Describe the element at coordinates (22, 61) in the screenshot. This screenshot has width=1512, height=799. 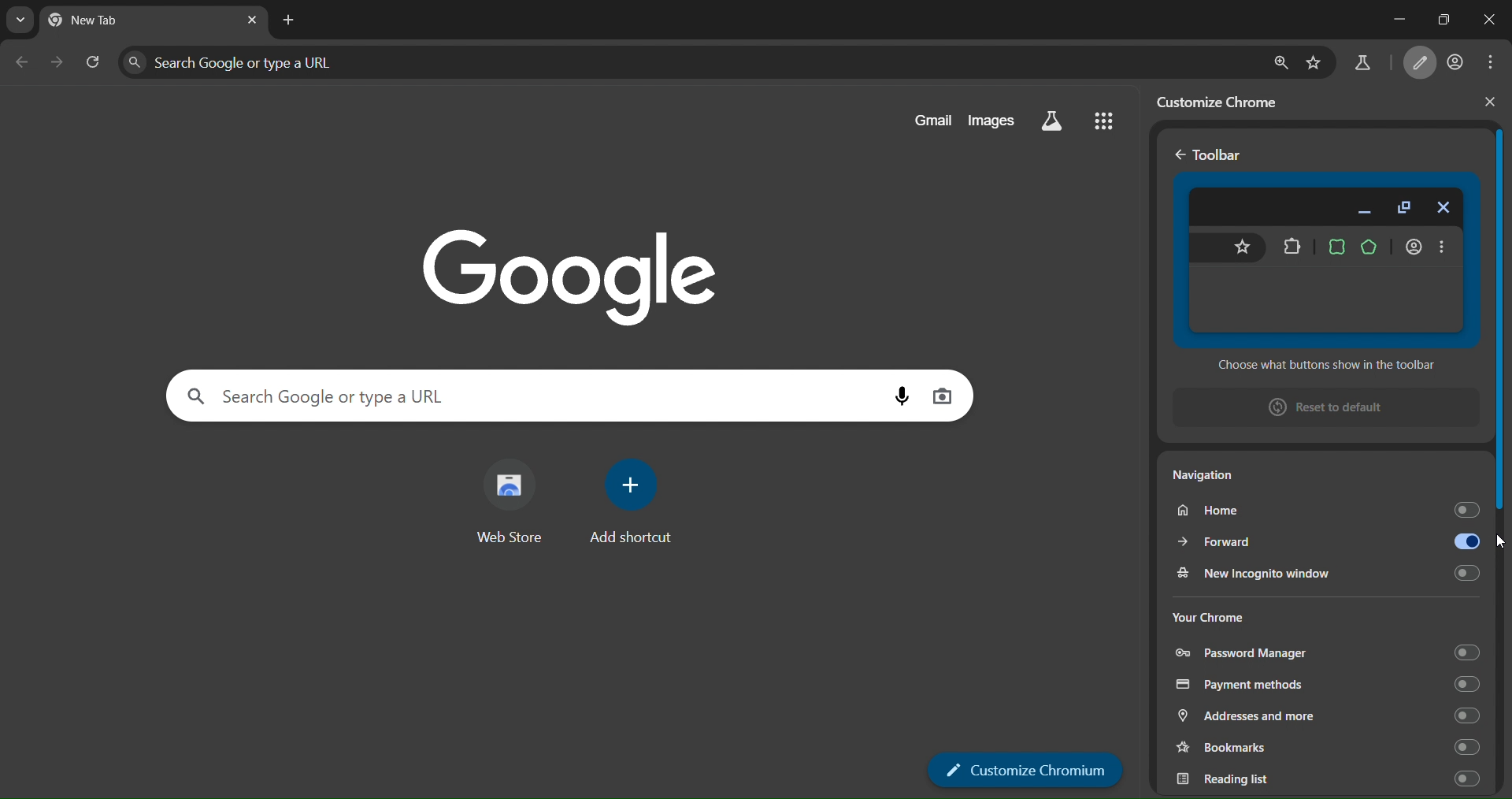
I see `go back one page` at that location.